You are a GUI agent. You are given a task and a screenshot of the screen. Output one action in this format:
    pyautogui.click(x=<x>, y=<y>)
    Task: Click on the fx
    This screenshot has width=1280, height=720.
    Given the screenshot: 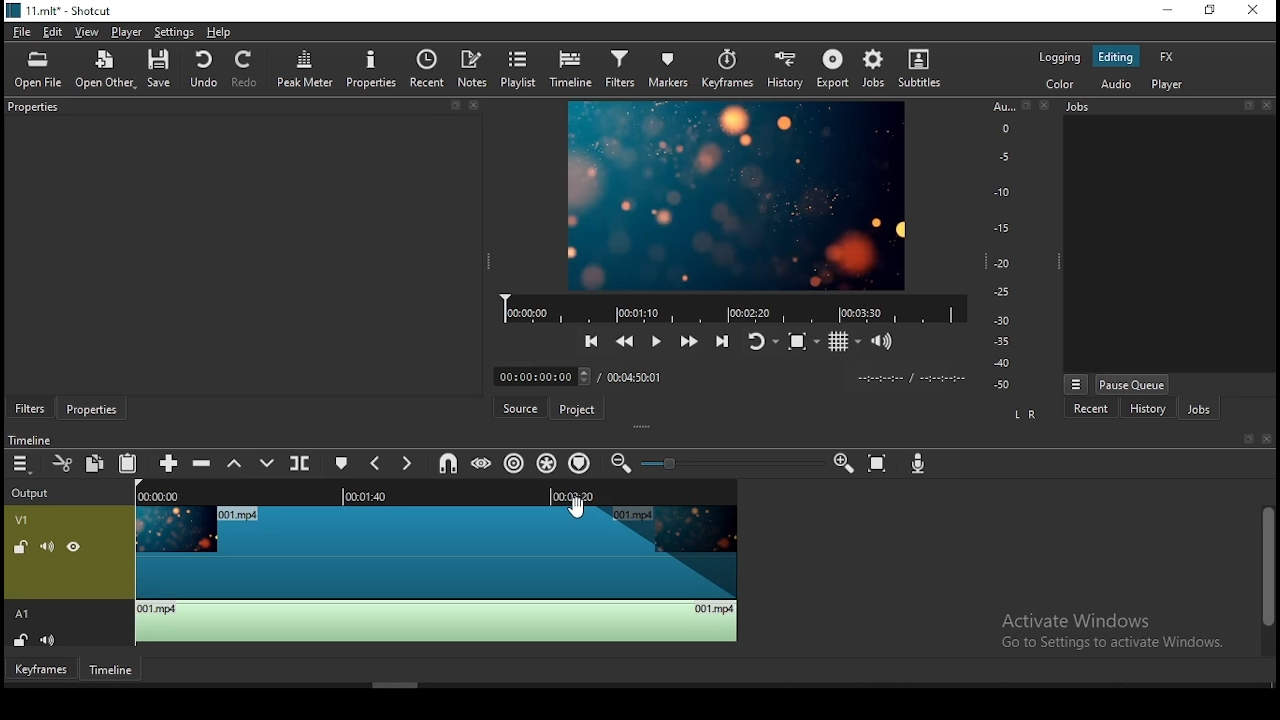 What is the action you would take?
    pyautogui.click(x=1166, y=56)
    